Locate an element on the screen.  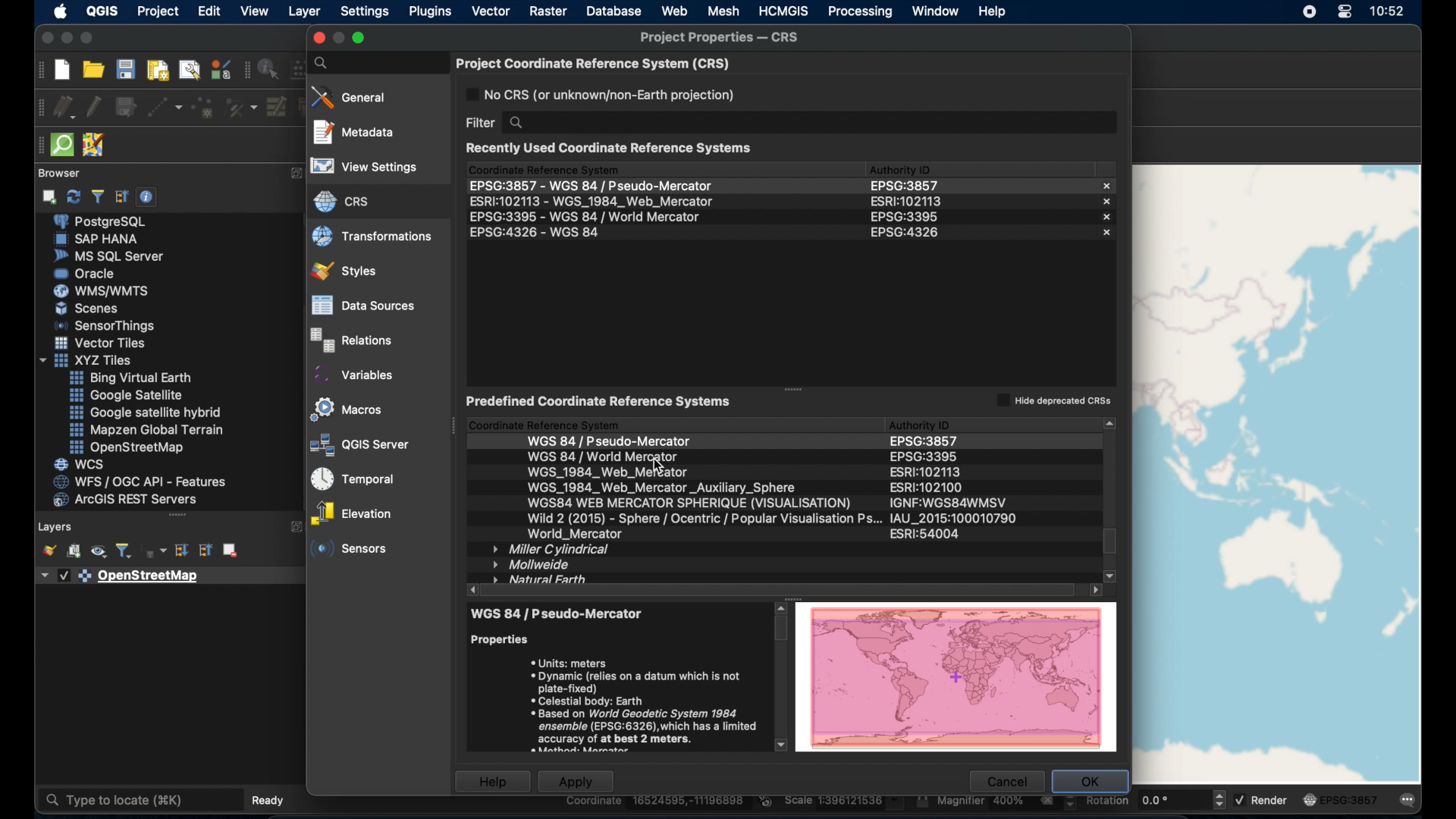
toggle editing is located at coordinates (97, 108).